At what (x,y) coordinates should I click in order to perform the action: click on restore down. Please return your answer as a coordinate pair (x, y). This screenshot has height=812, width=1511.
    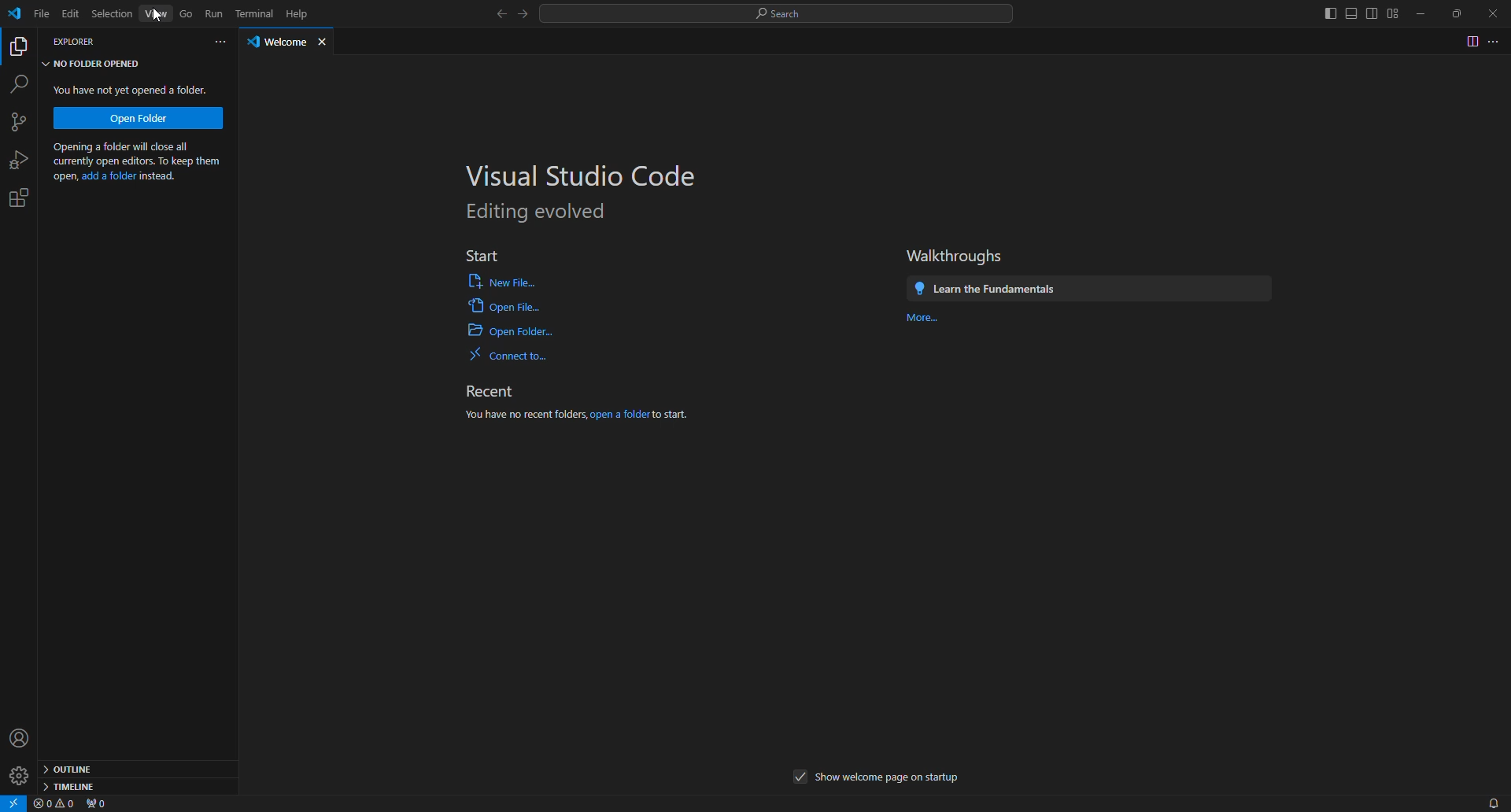
    Looking at the image, I should click on (1460, 12).